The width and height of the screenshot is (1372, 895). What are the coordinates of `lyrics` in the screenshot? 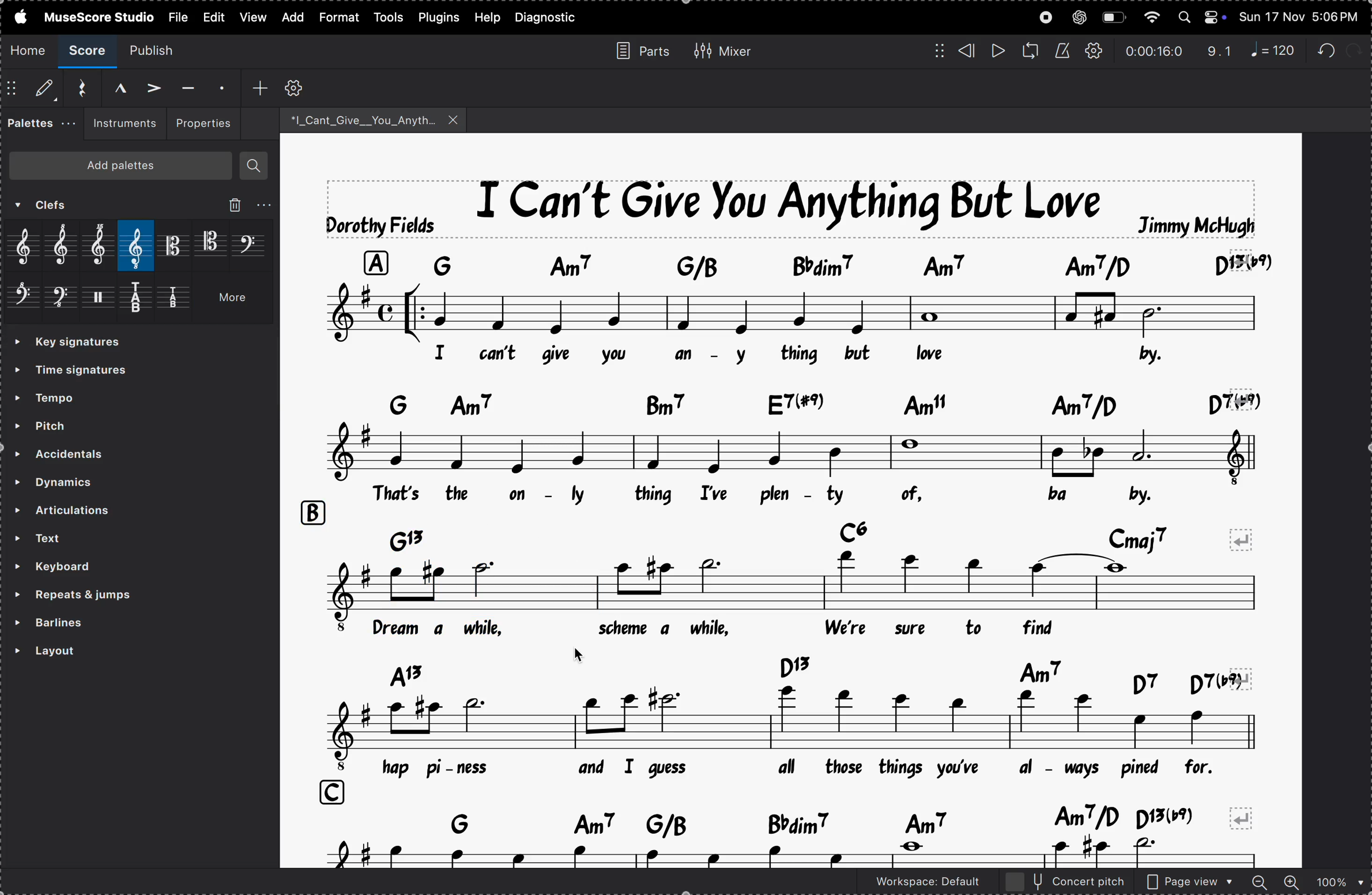 It's located at (699, 354).